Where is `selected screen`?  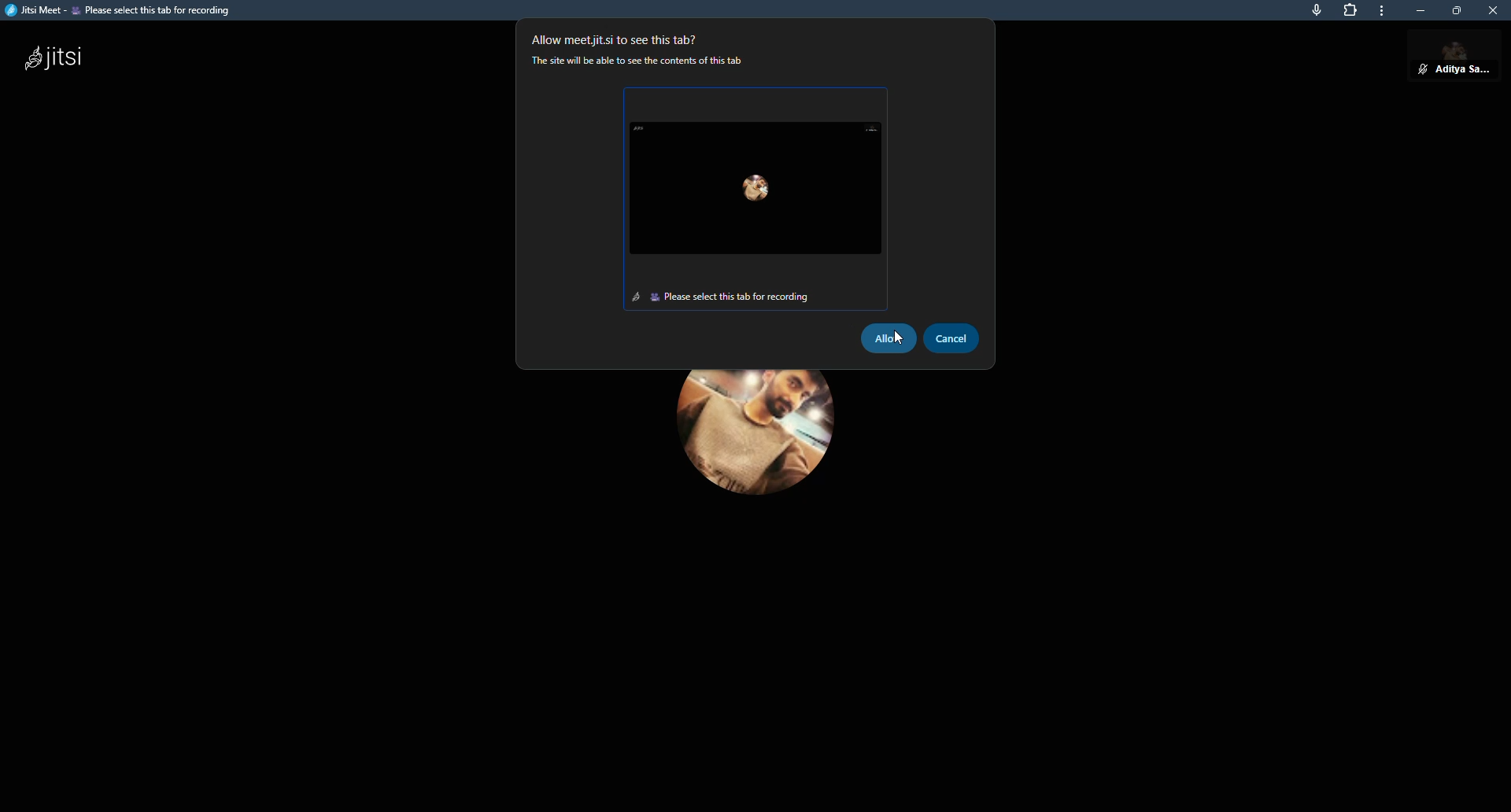
selected screen is located at coordinates (752, 185).